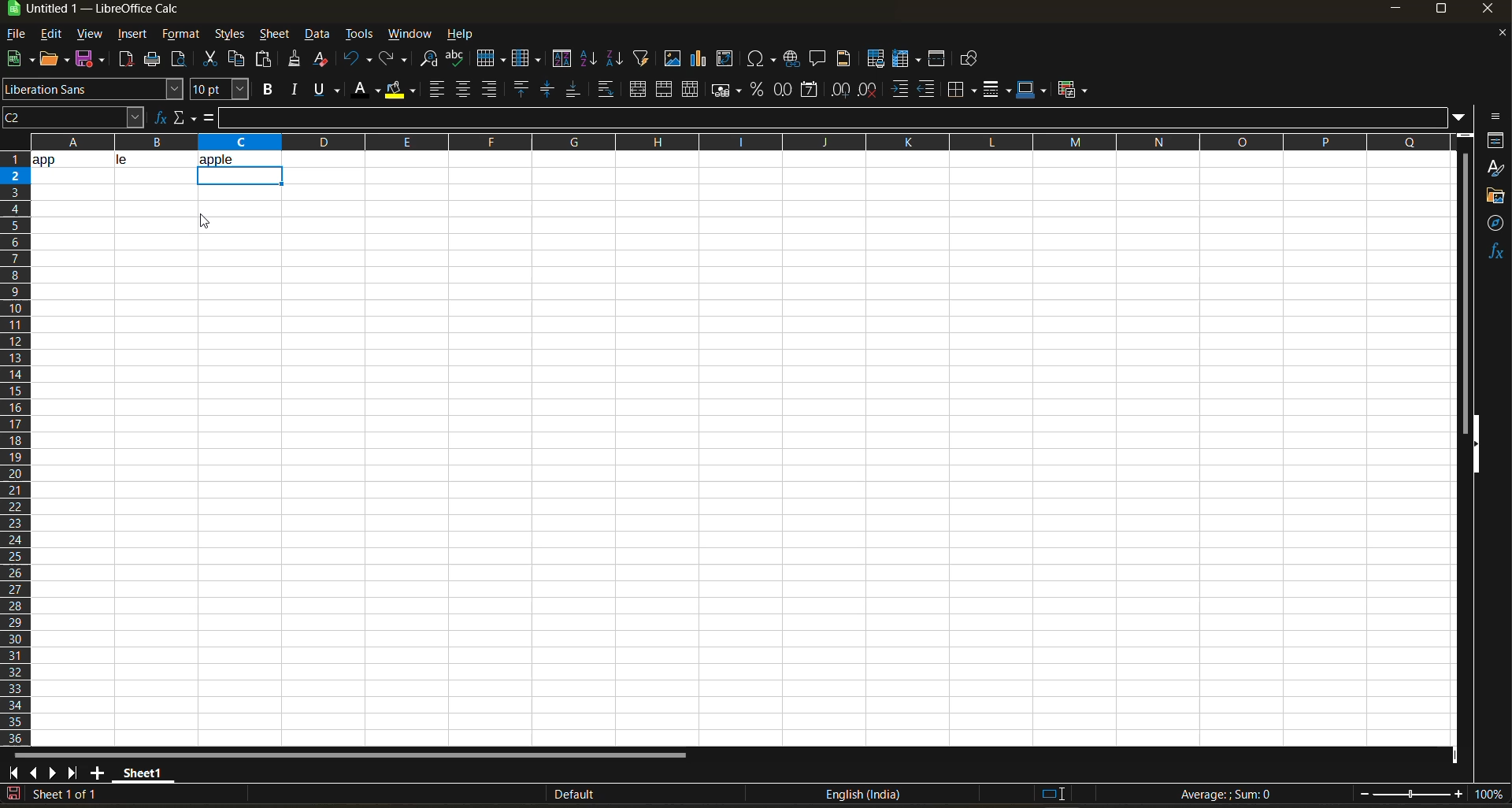  Describe the element at coordinates (331, 89) in the screenshot. I see `underline` at that location.